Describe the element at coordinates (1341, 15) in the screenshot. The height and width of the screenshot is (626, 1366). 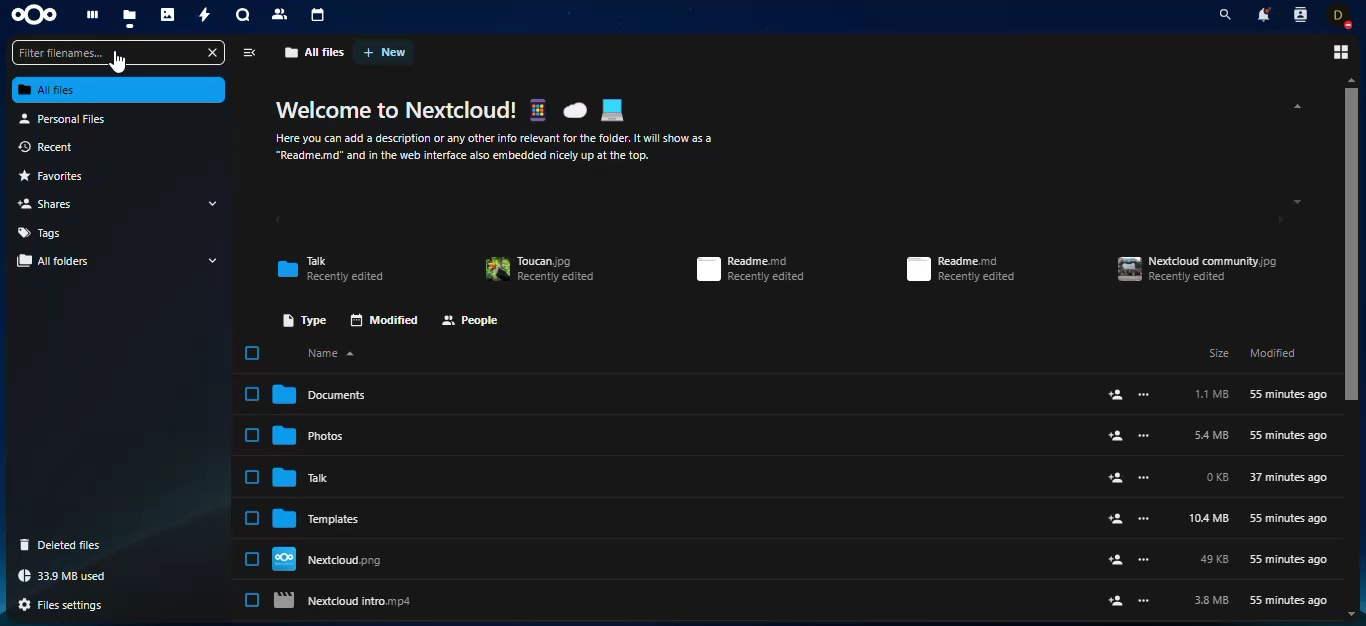
I see `profile` at that location.